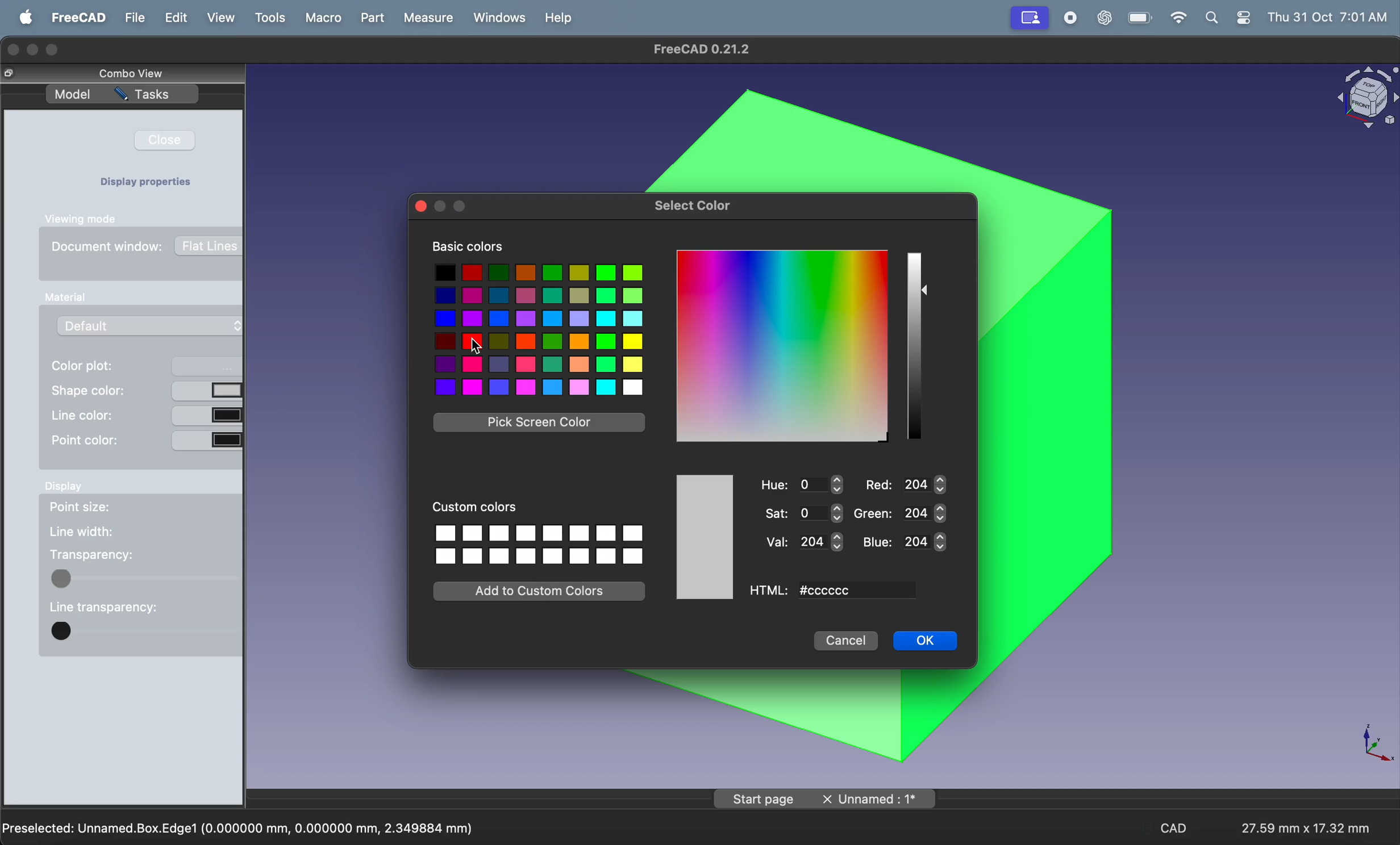  Describe the element at coordinates (151, 183) in the screenshot. I see `display properties` at that location.